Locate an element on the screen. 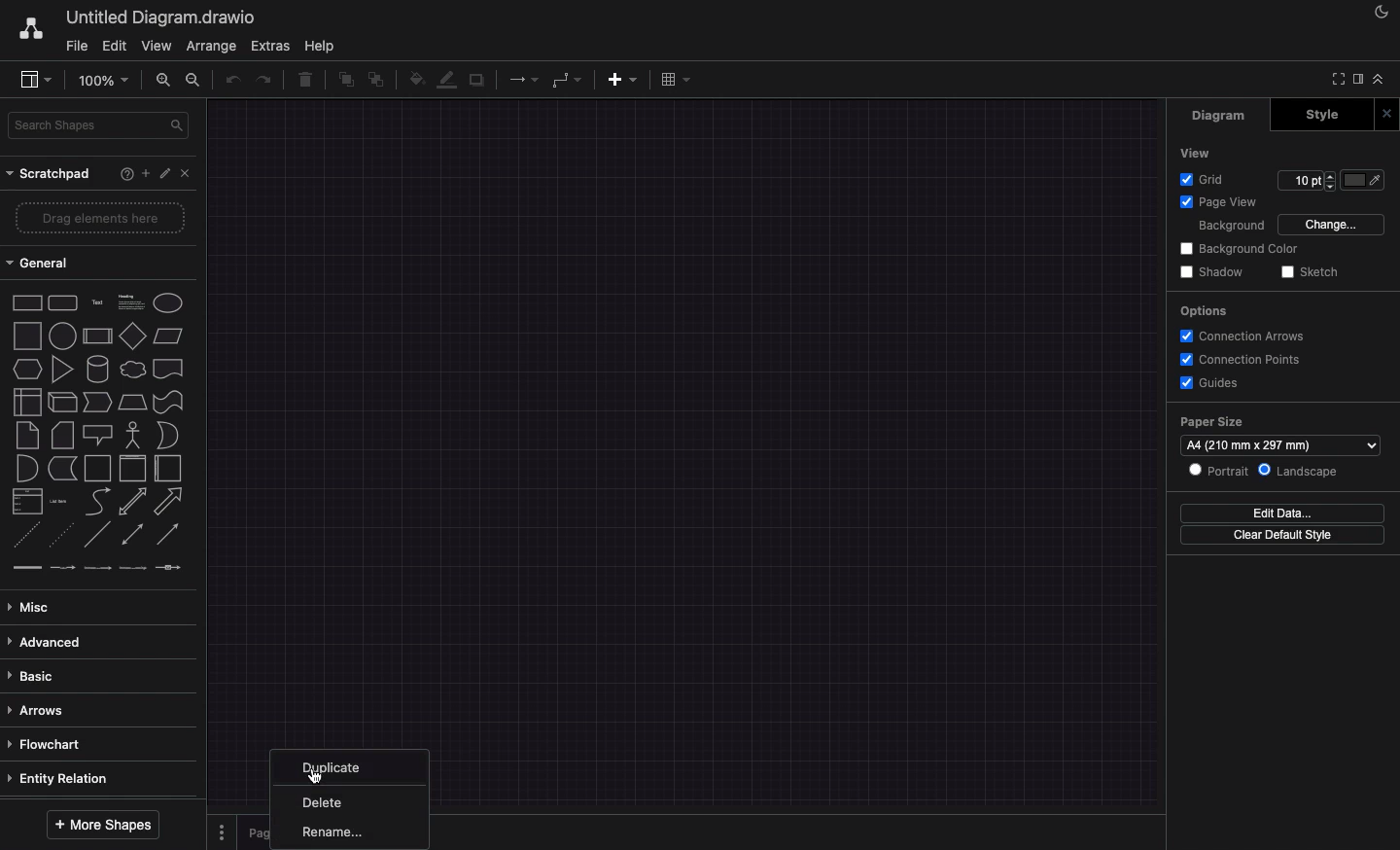  link is located at coordinates (27, 567).